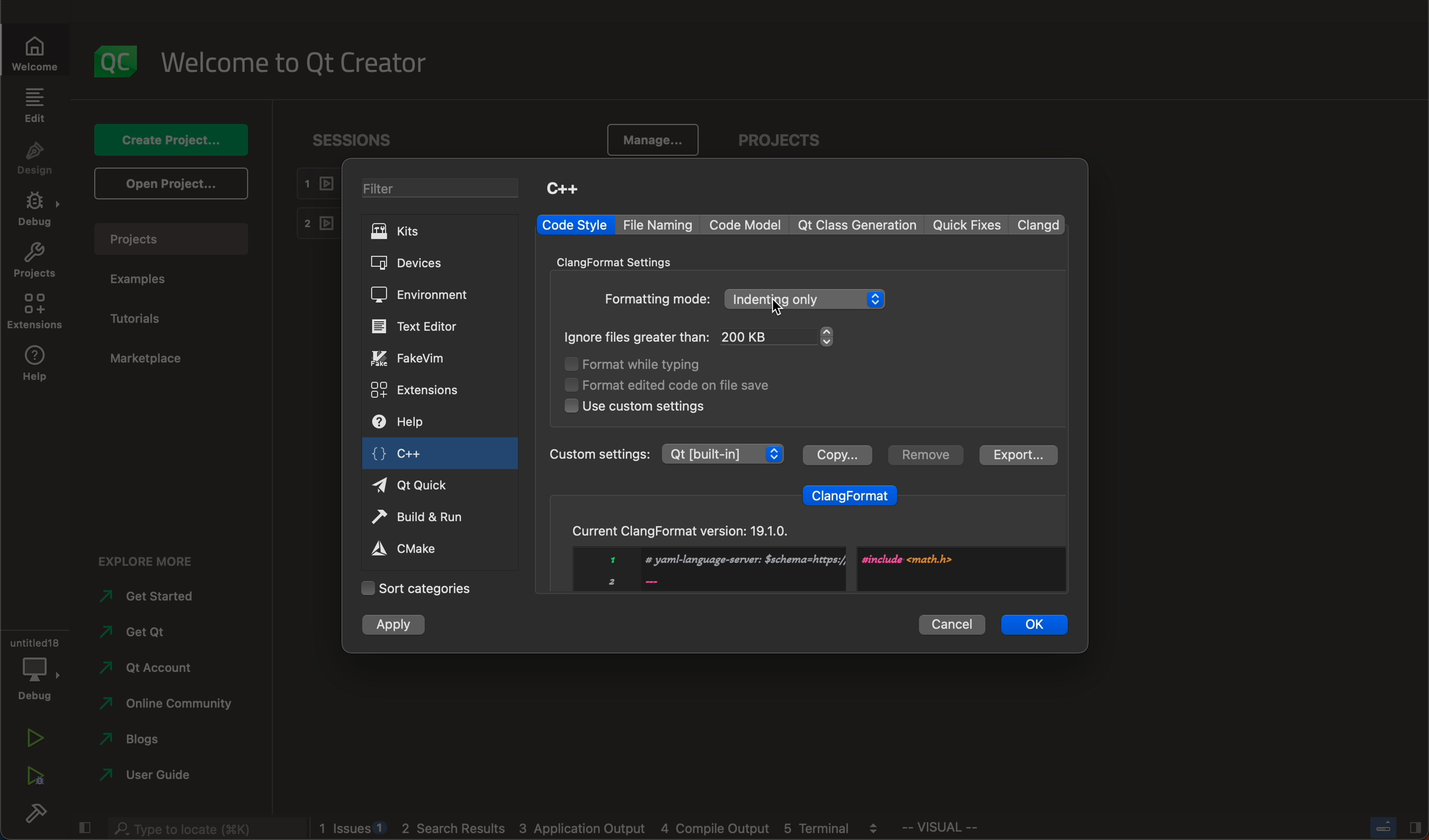  What do you see at coordinates (1041, 224) in the screenshot?
I see `clangd` at bounding box center [1041, 224].